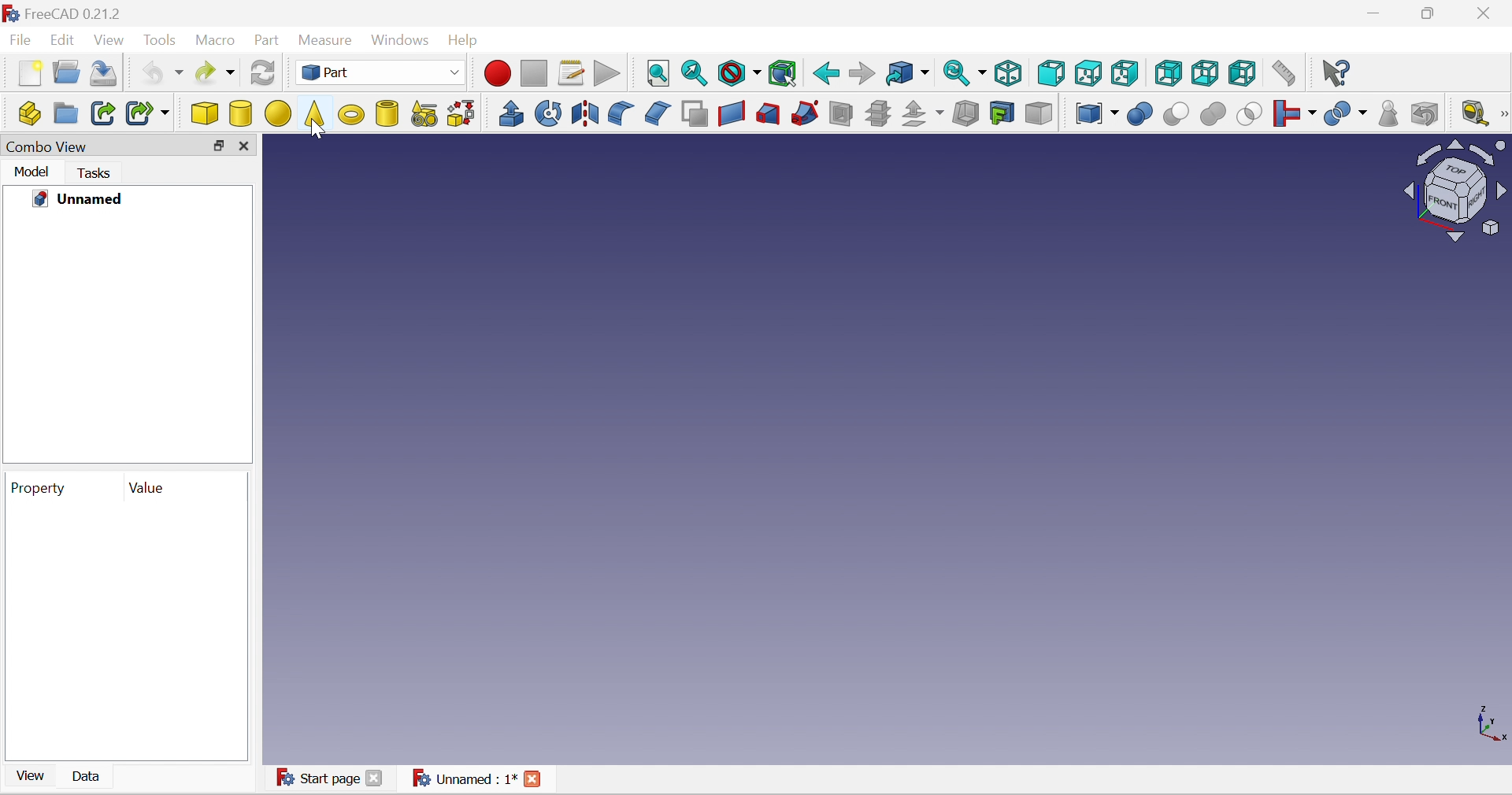 The image size is (1512, 795). I want to click on Cylinder, so click(240, 113).